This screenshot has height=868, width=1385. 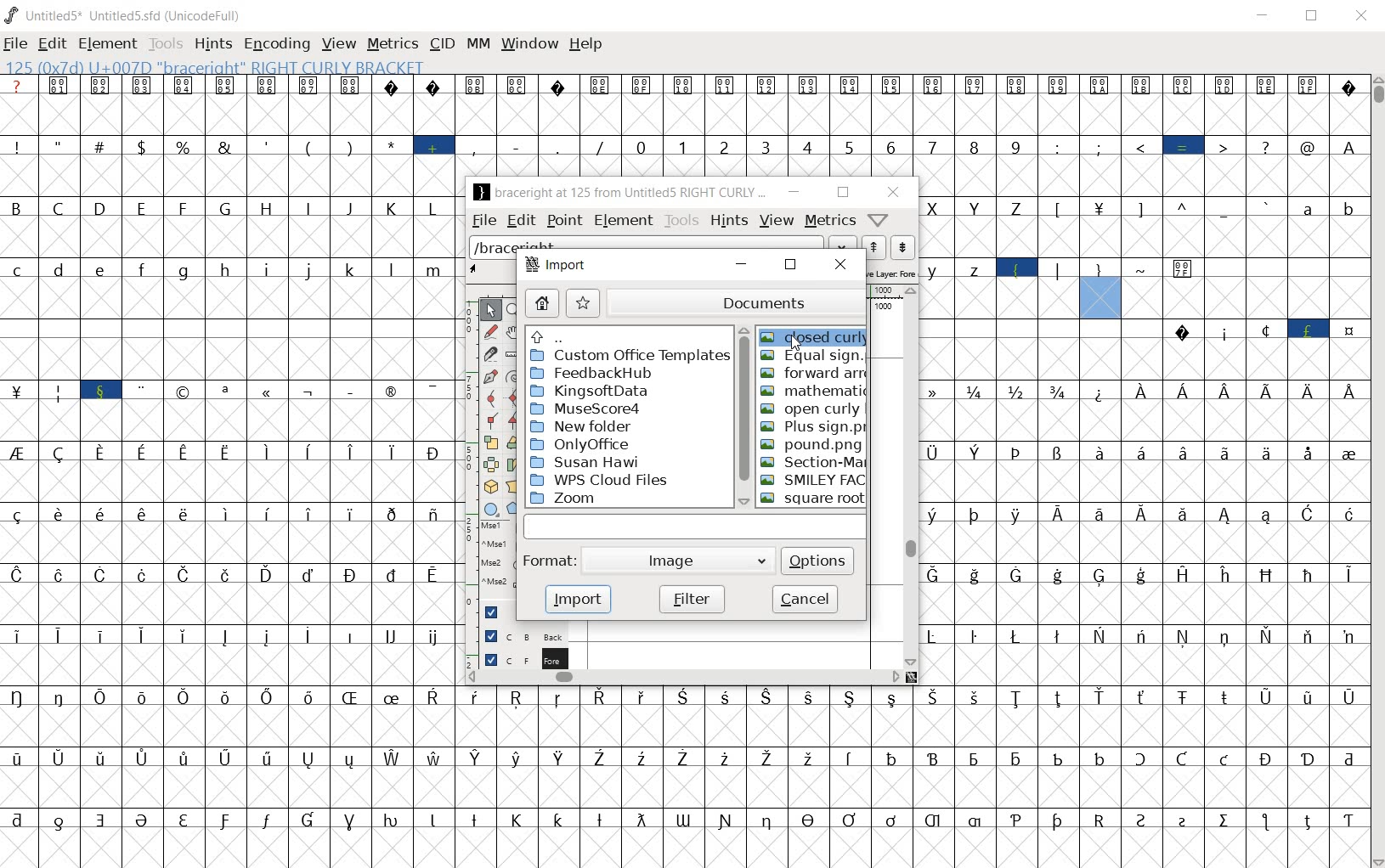 What do you see at coordinates (491, 420) in the screenshot?
I see `Add a corner point` at bounding box center [491, 420].